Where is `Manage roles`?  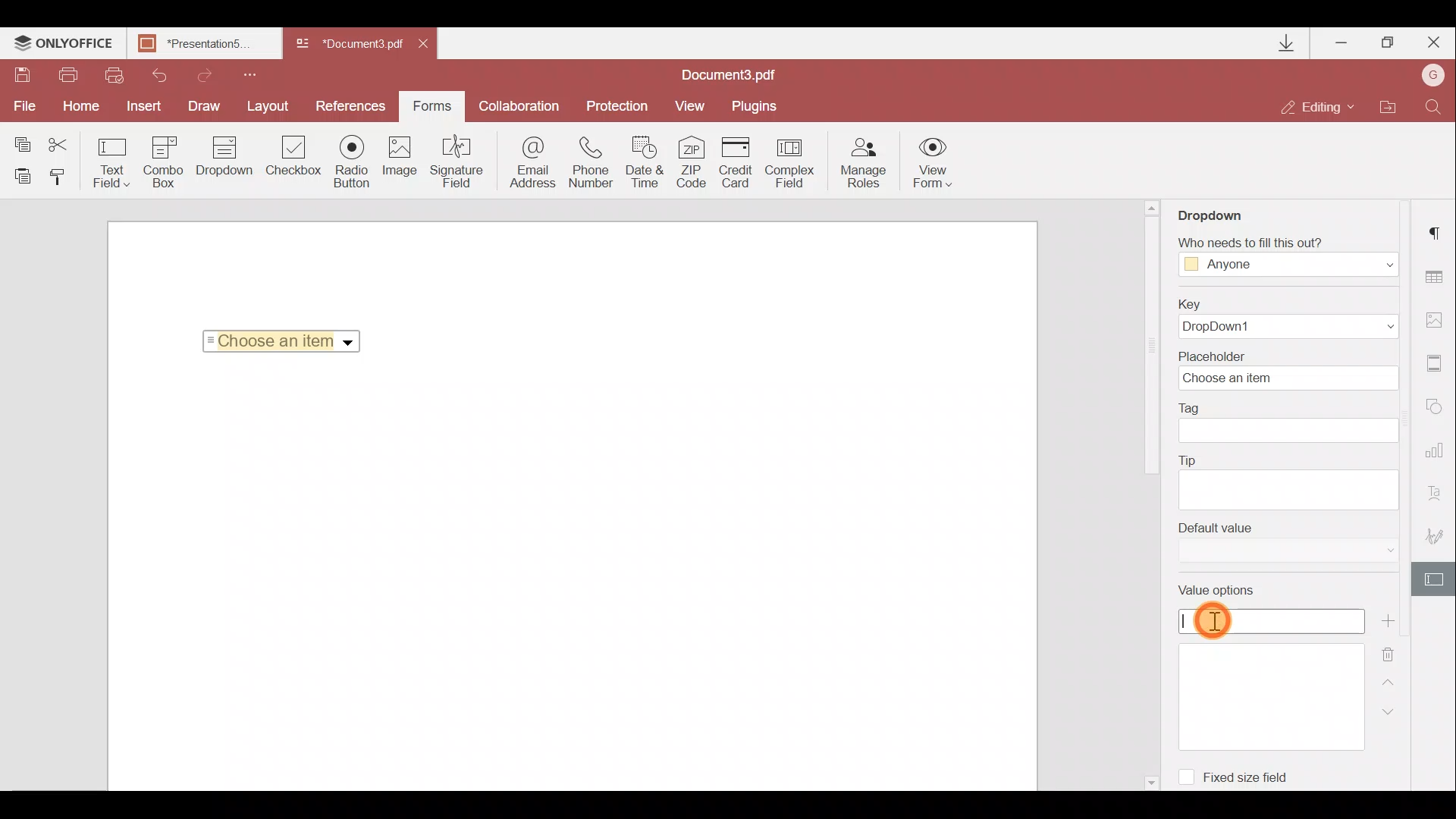
Manage roles is located at coordinates (863, 163).